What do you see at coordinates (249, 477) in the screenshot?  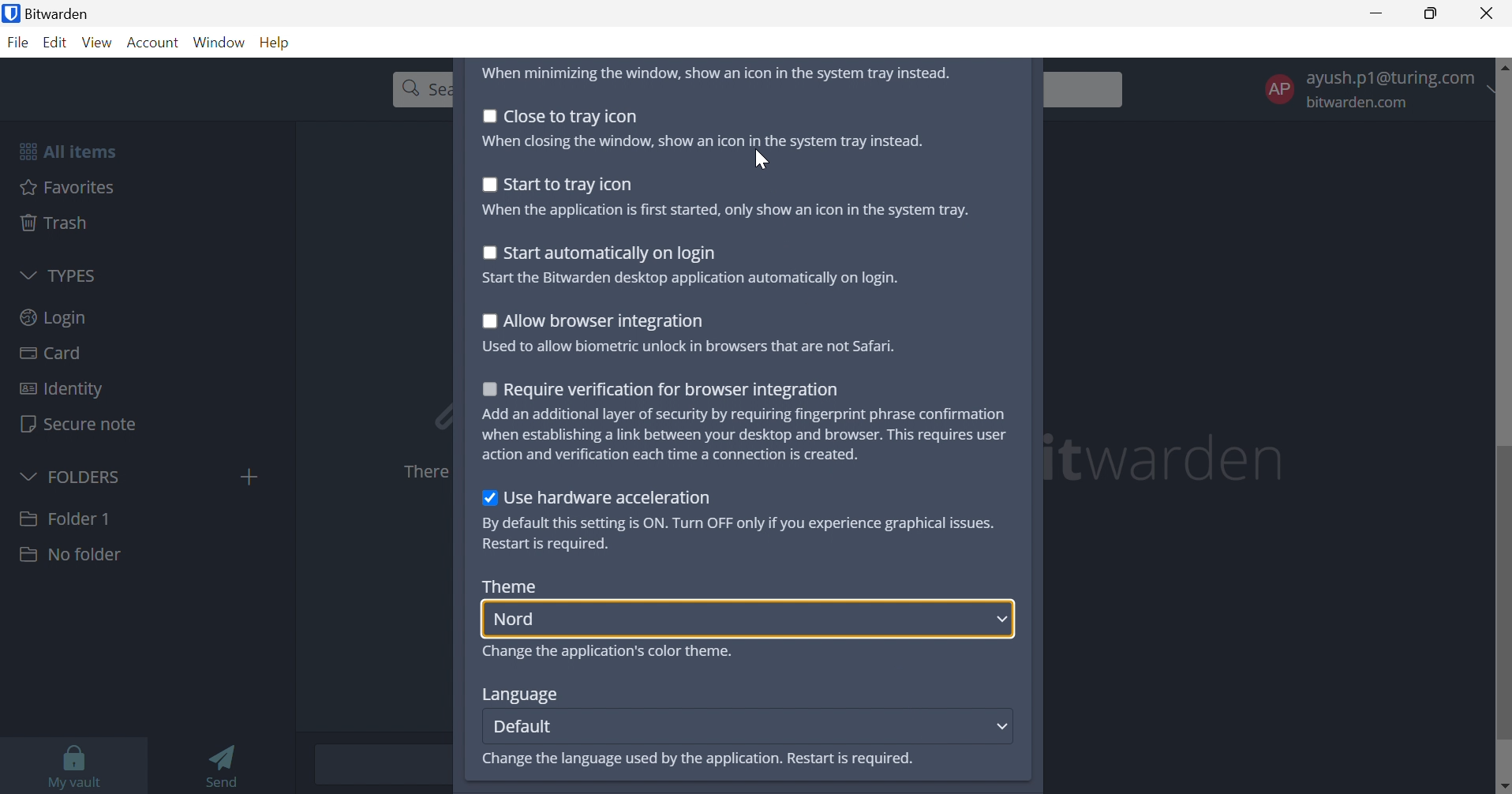 I see `Add folder` at bounding box center [249, 477].